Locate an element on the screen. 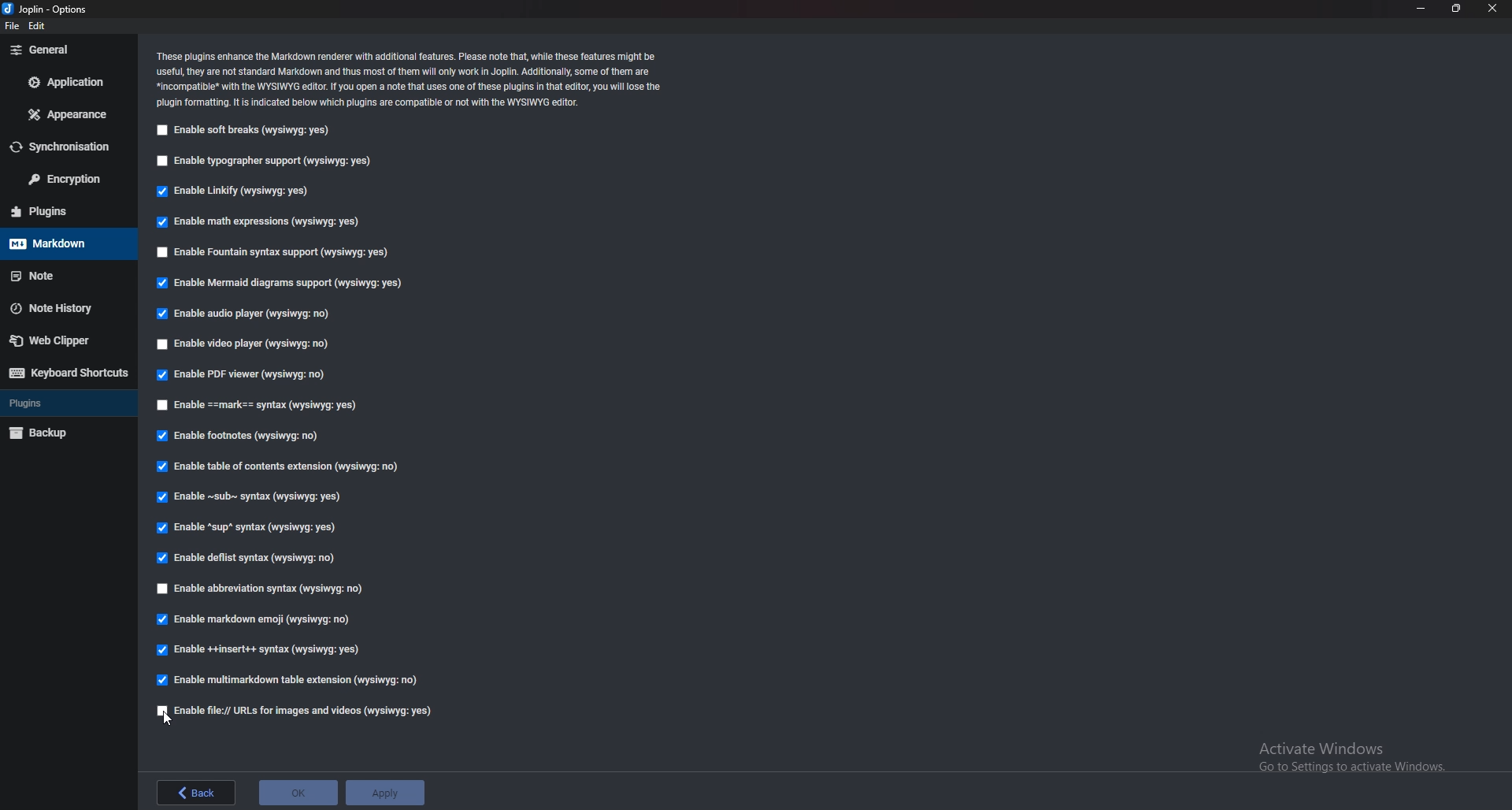  plugins is located at coordinates (57, 211).